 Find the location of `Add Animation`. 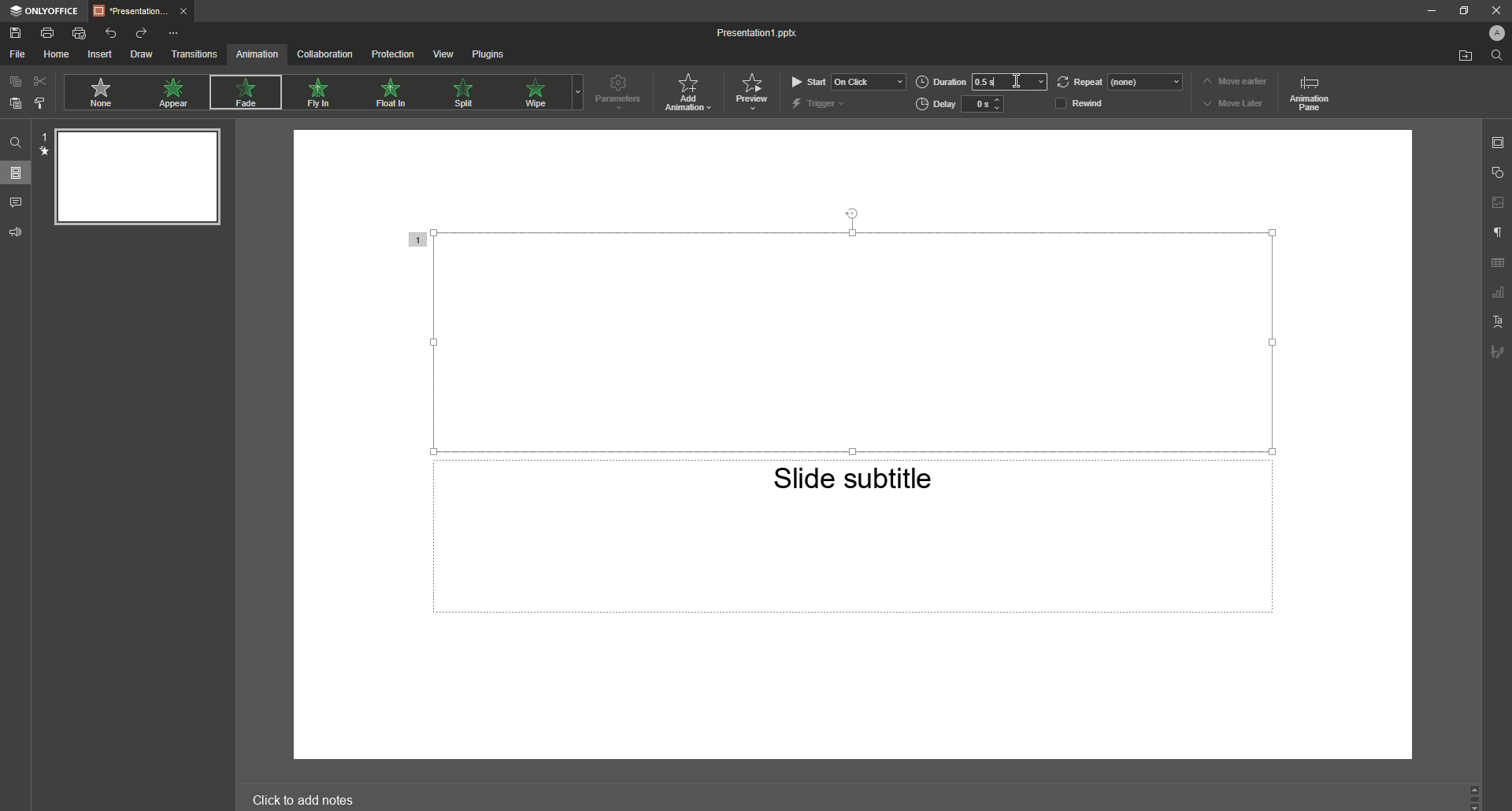

Add Animation is located at coordinates (691, 94).